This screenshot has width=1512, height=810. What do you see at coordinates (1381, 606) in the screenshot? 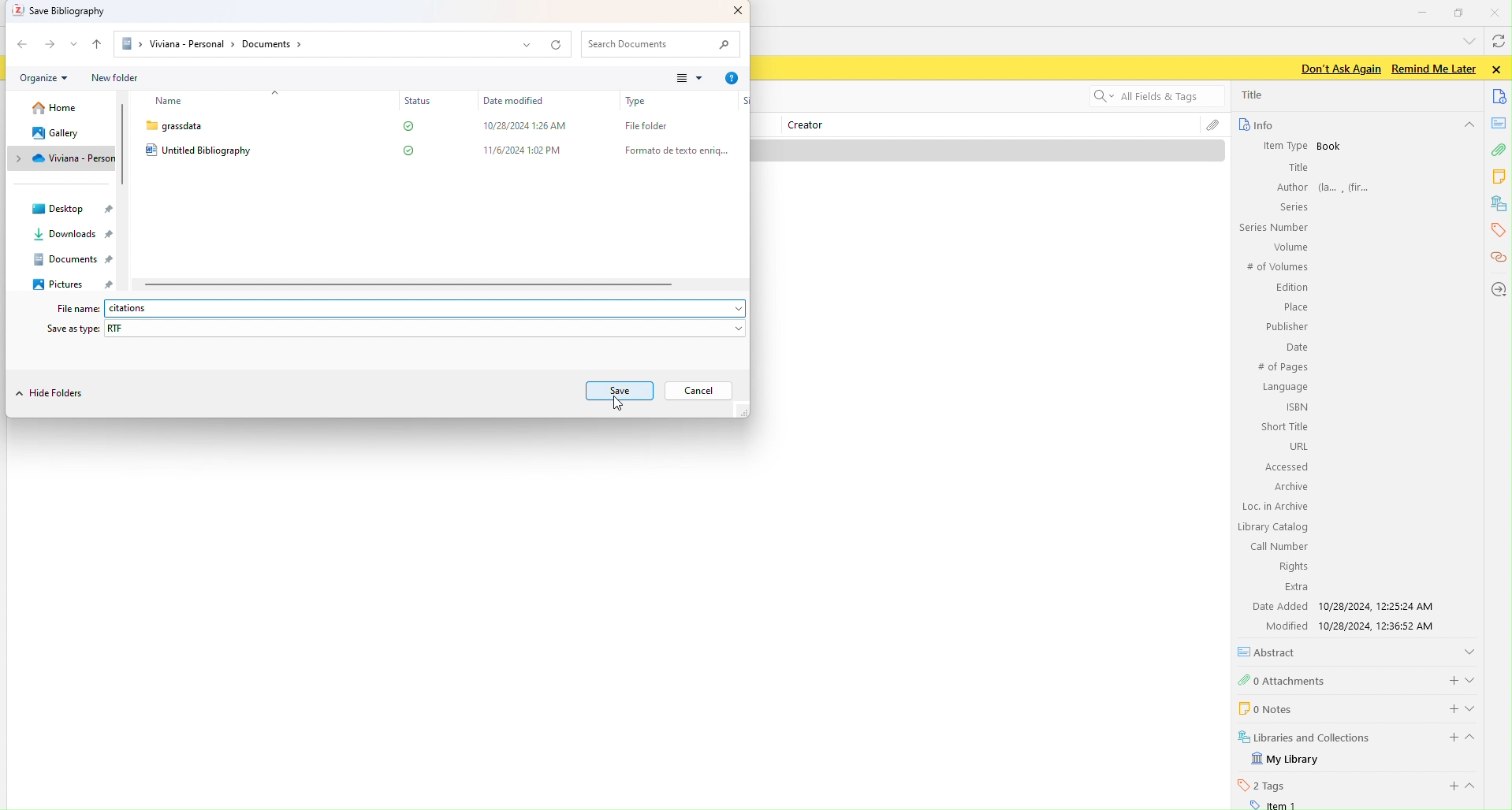
I see `10/28/2024, 12:25:24 AM` at bounding box center [1381, 606].